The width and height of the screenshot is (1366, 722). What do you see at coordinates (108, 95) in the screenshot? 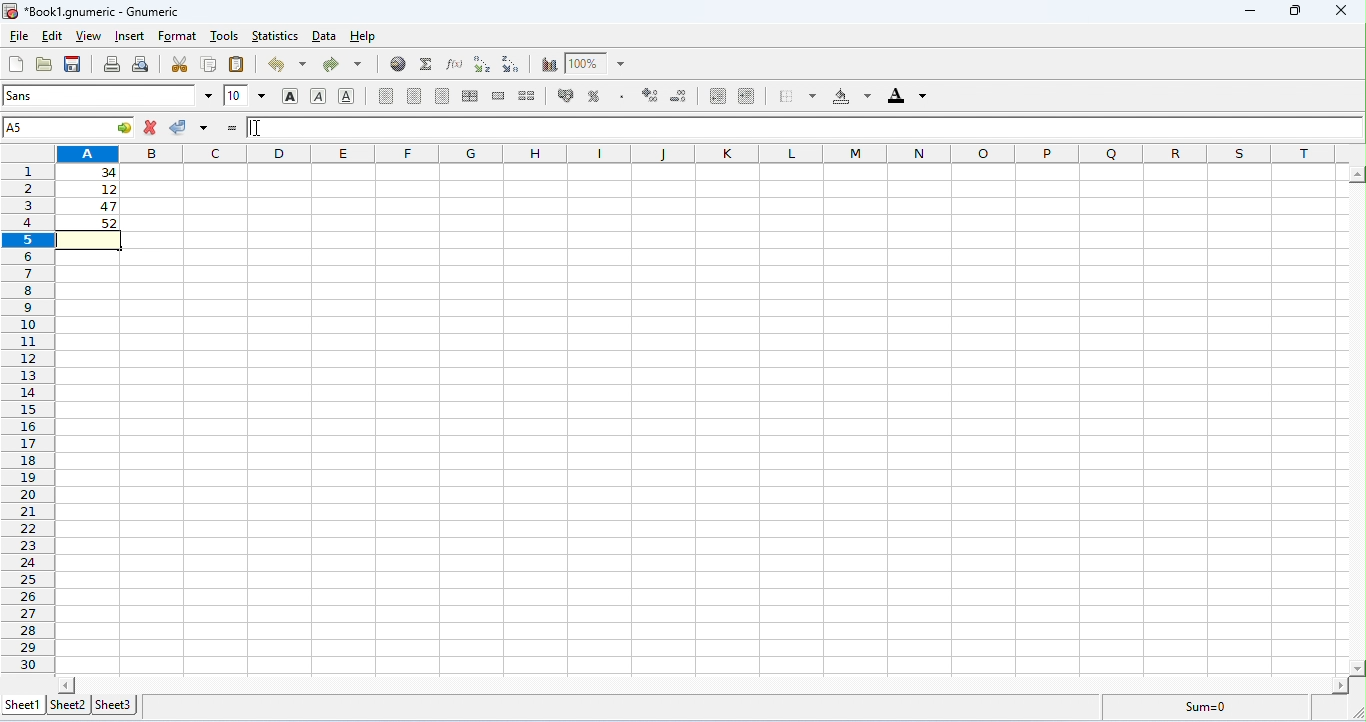
I see `font style` at bounding box center [108, 95].